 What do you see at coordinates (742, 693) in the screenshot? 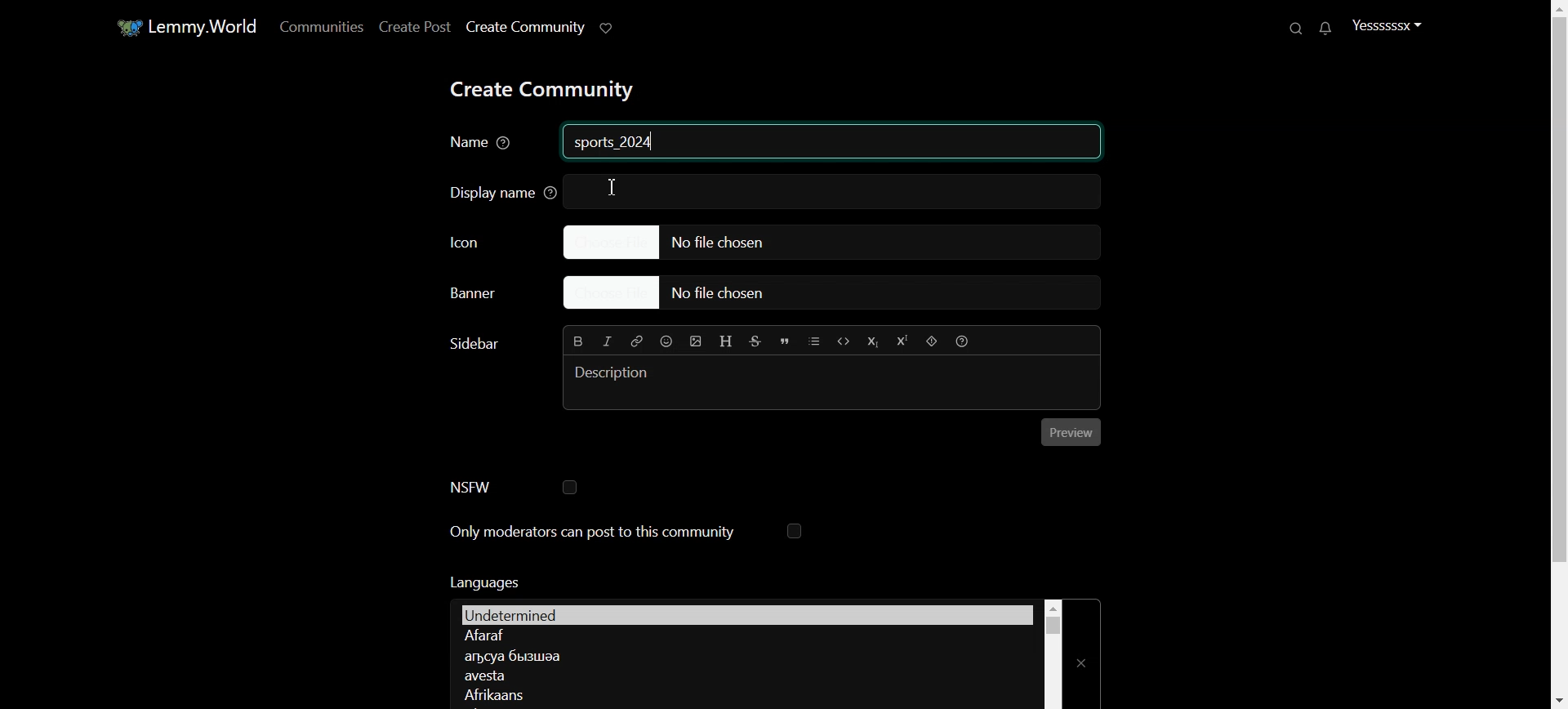
I see `Language` at bounding box center [742, 693].